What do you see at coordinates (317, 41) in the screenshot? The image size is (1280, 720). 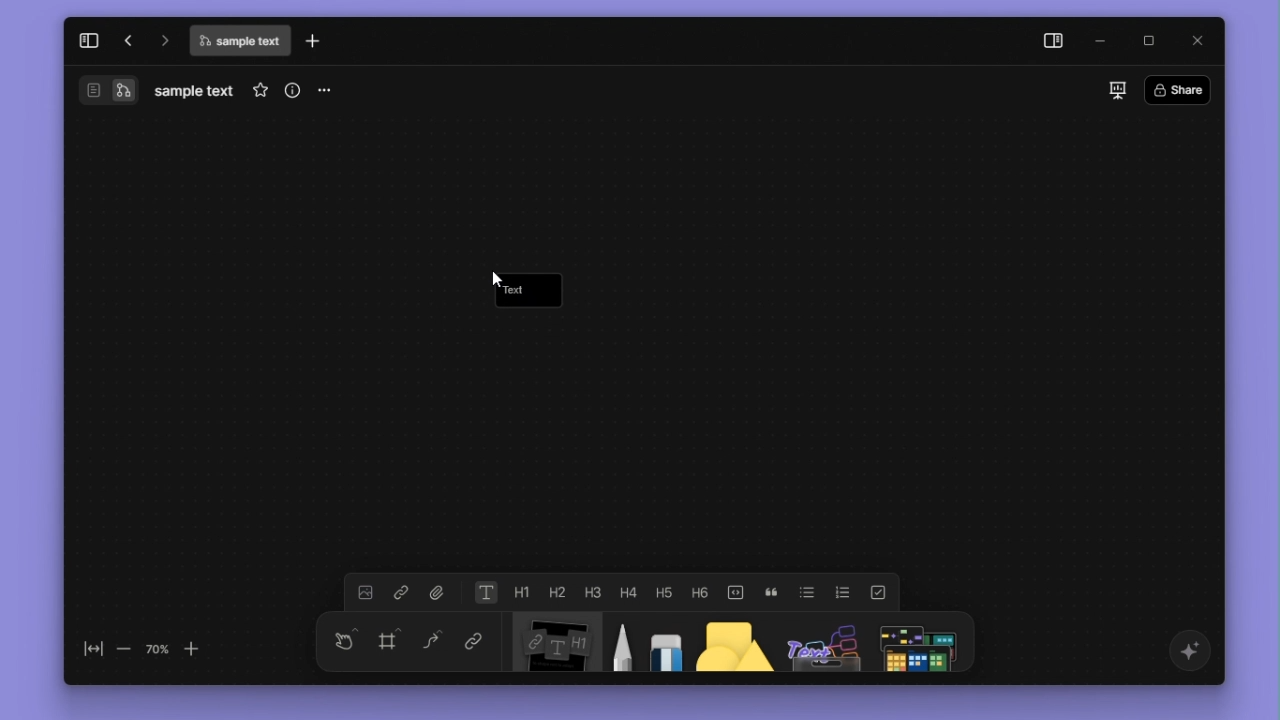 I see `new tab` at bounding box center [317, 41].